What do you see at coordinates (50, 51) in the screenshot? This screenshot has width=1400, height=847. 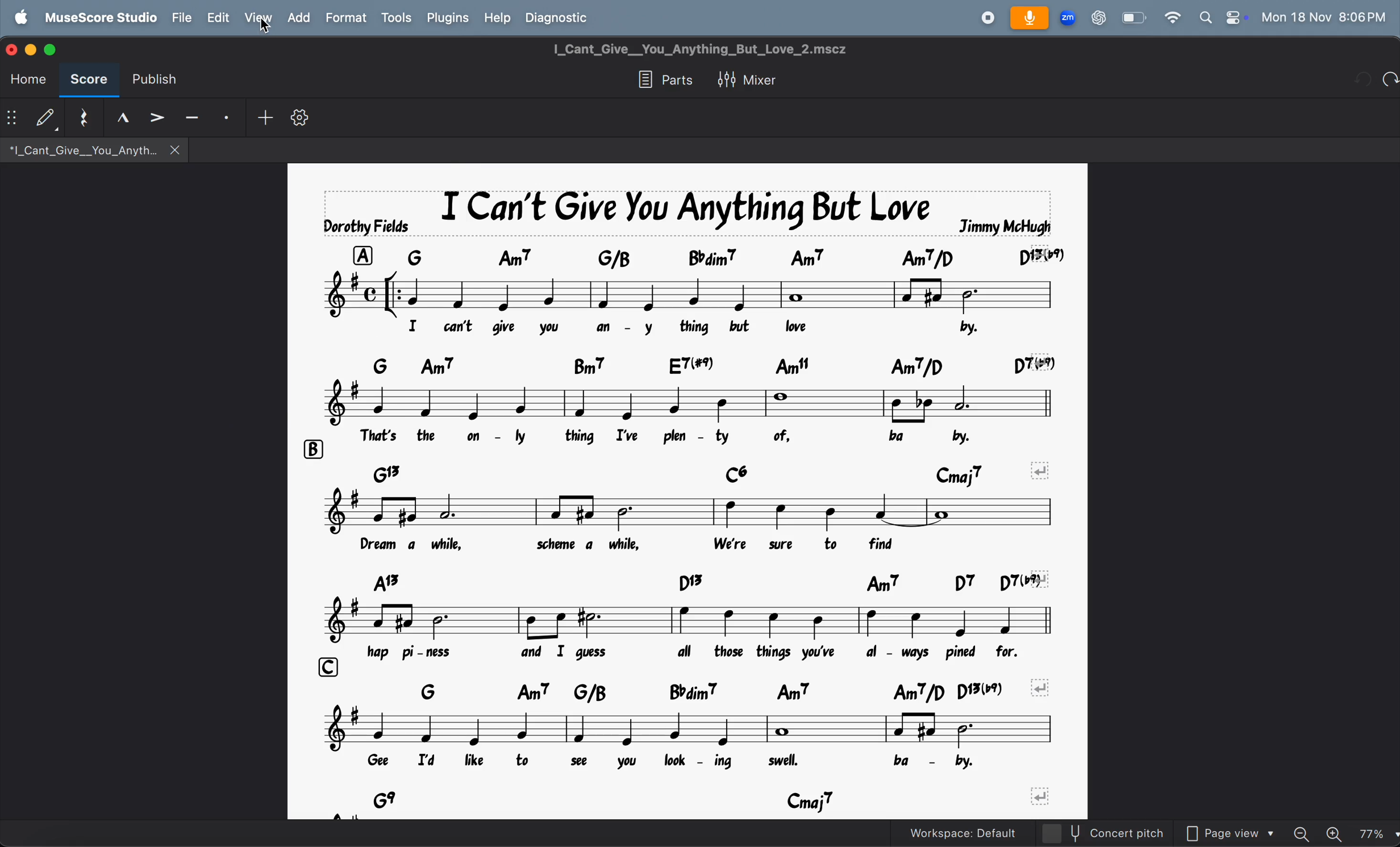 I see `score` at bounding box center [50, 51].